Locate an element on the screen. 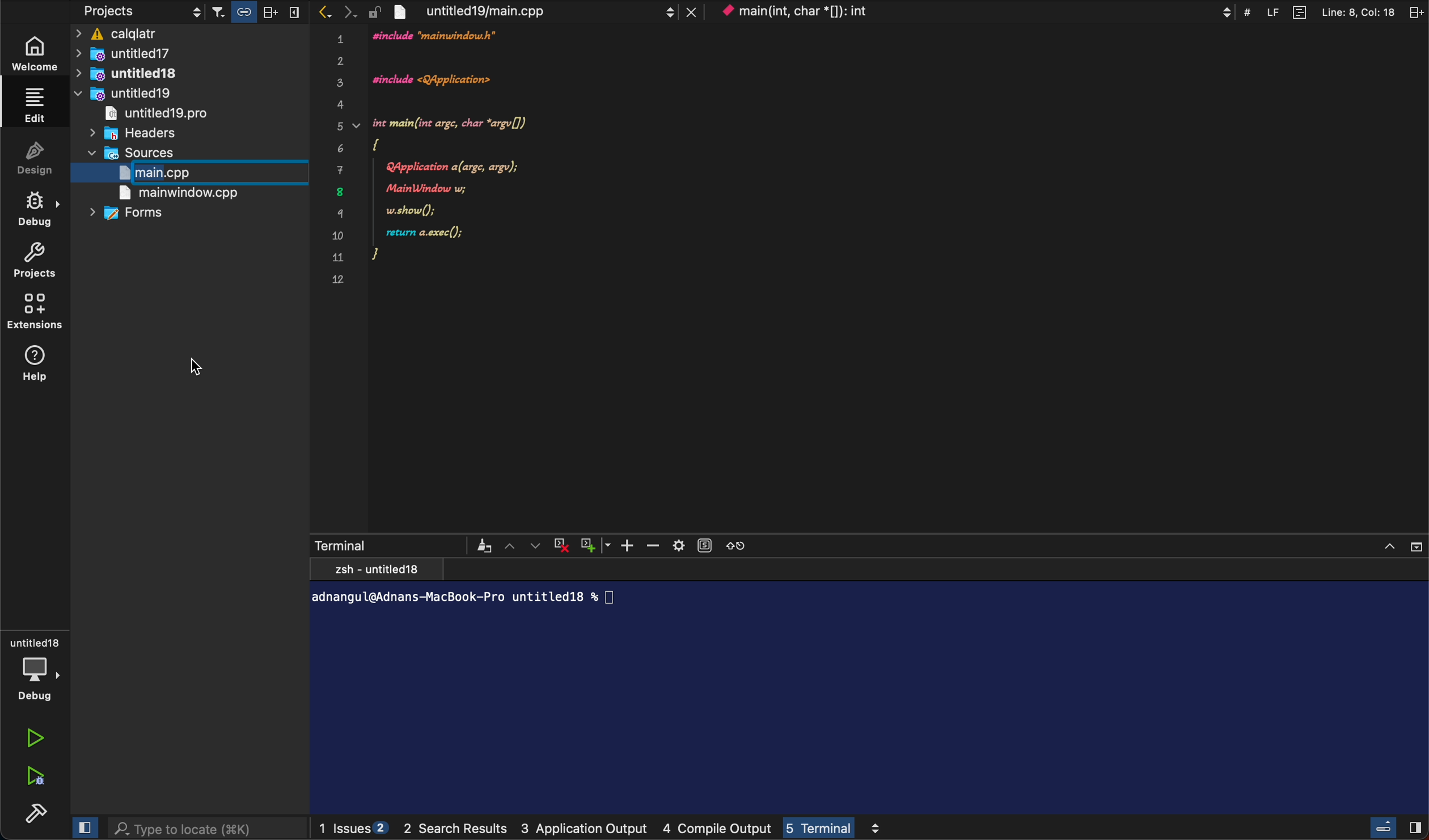 The image size is (1429, 840). cLose SlideBar is located at coordinates (82, 827).